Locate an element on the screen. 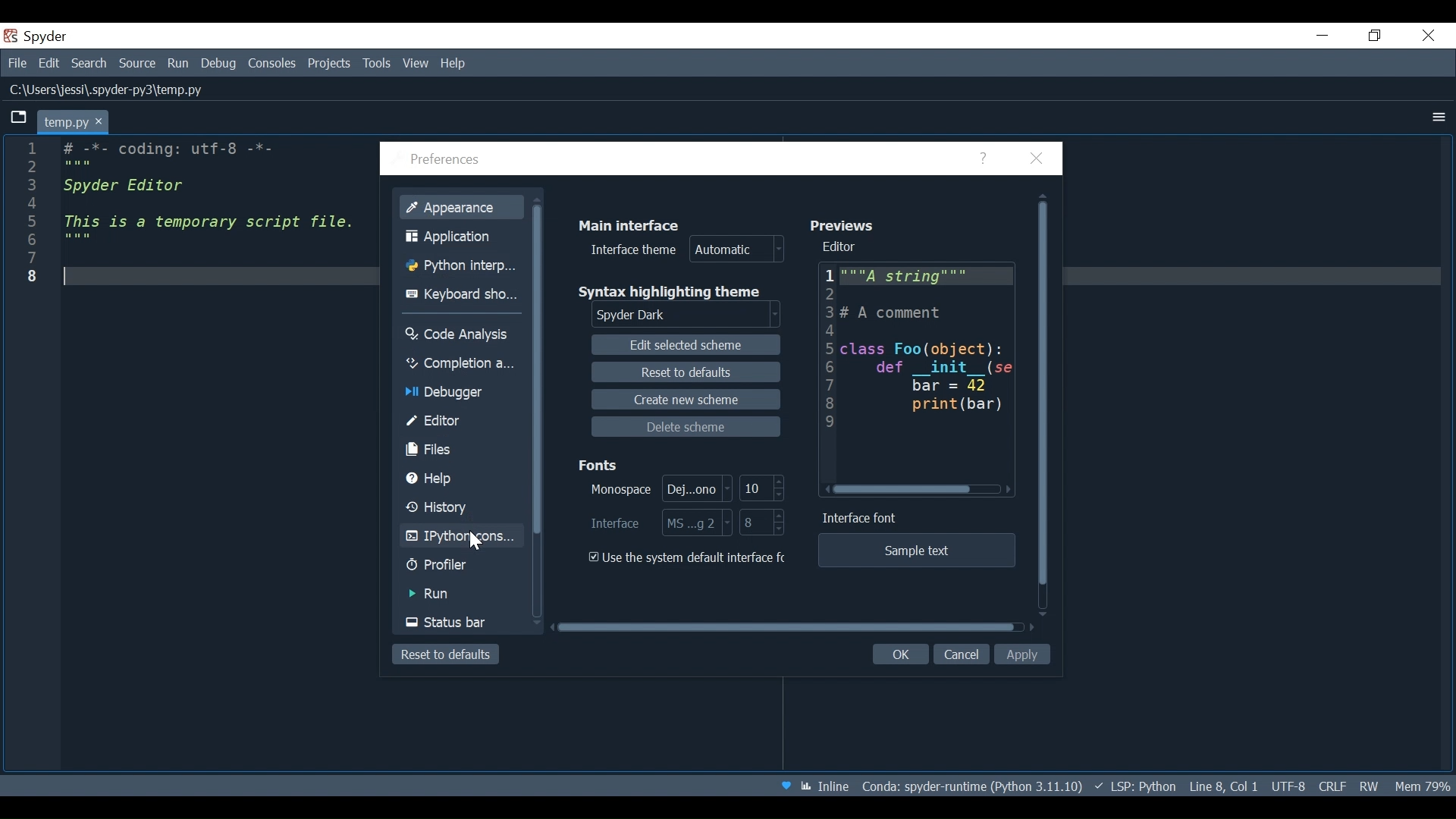 This screenshot has height=819, width=1456. Files is located at coordinates (460, 450).